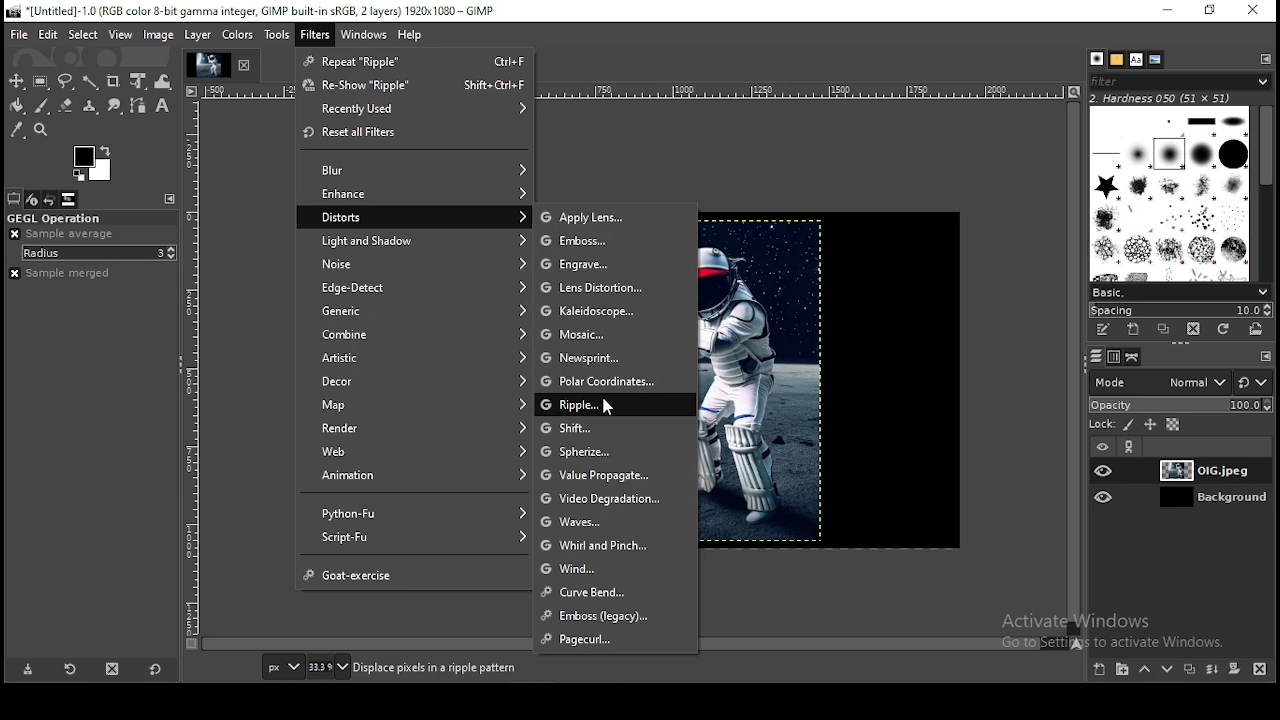  I want to click on colors, so click(239, 35).